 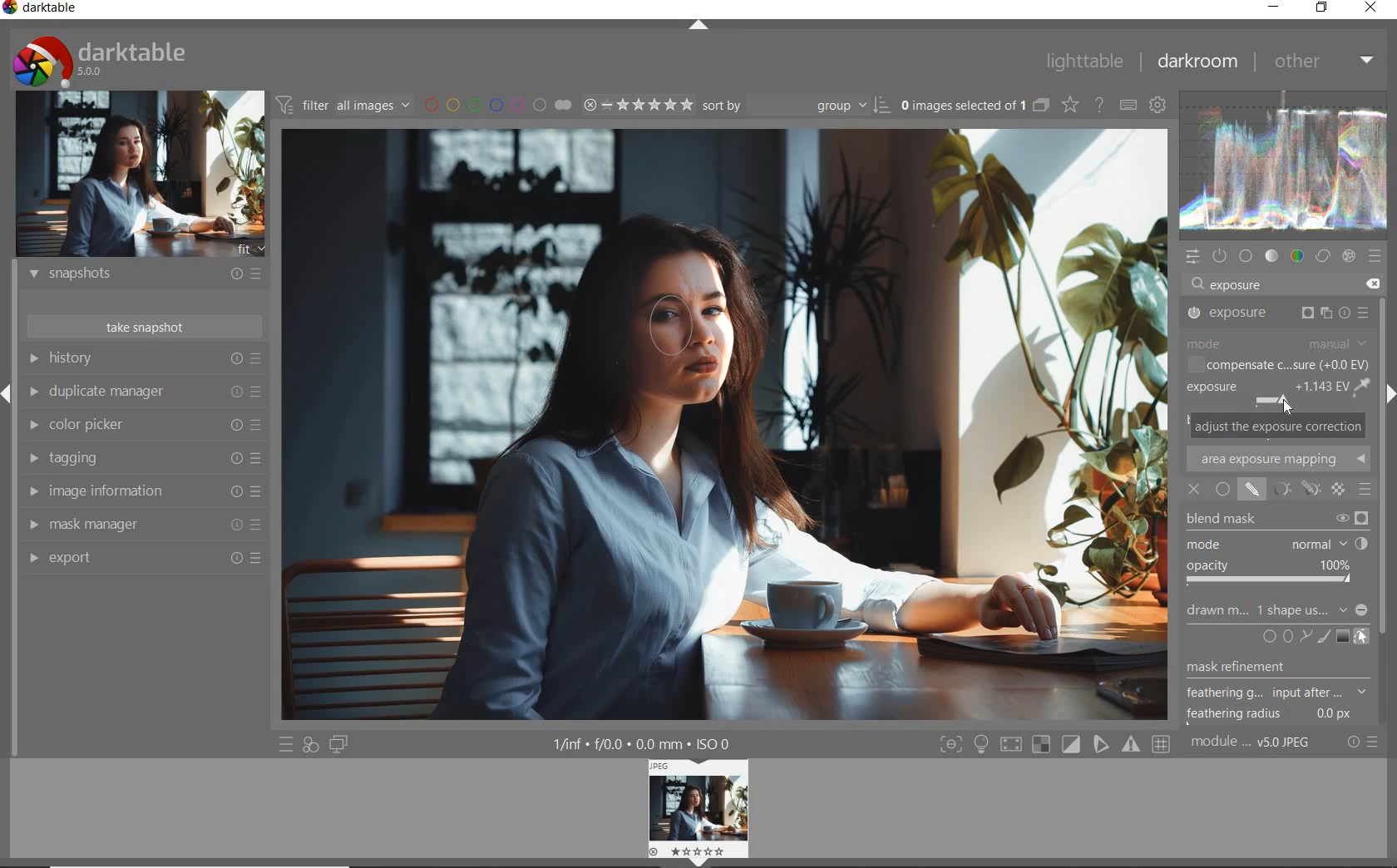 I want to click on PICK GUI COLOR FROM IMAGE, so click(x=1364, y=387).